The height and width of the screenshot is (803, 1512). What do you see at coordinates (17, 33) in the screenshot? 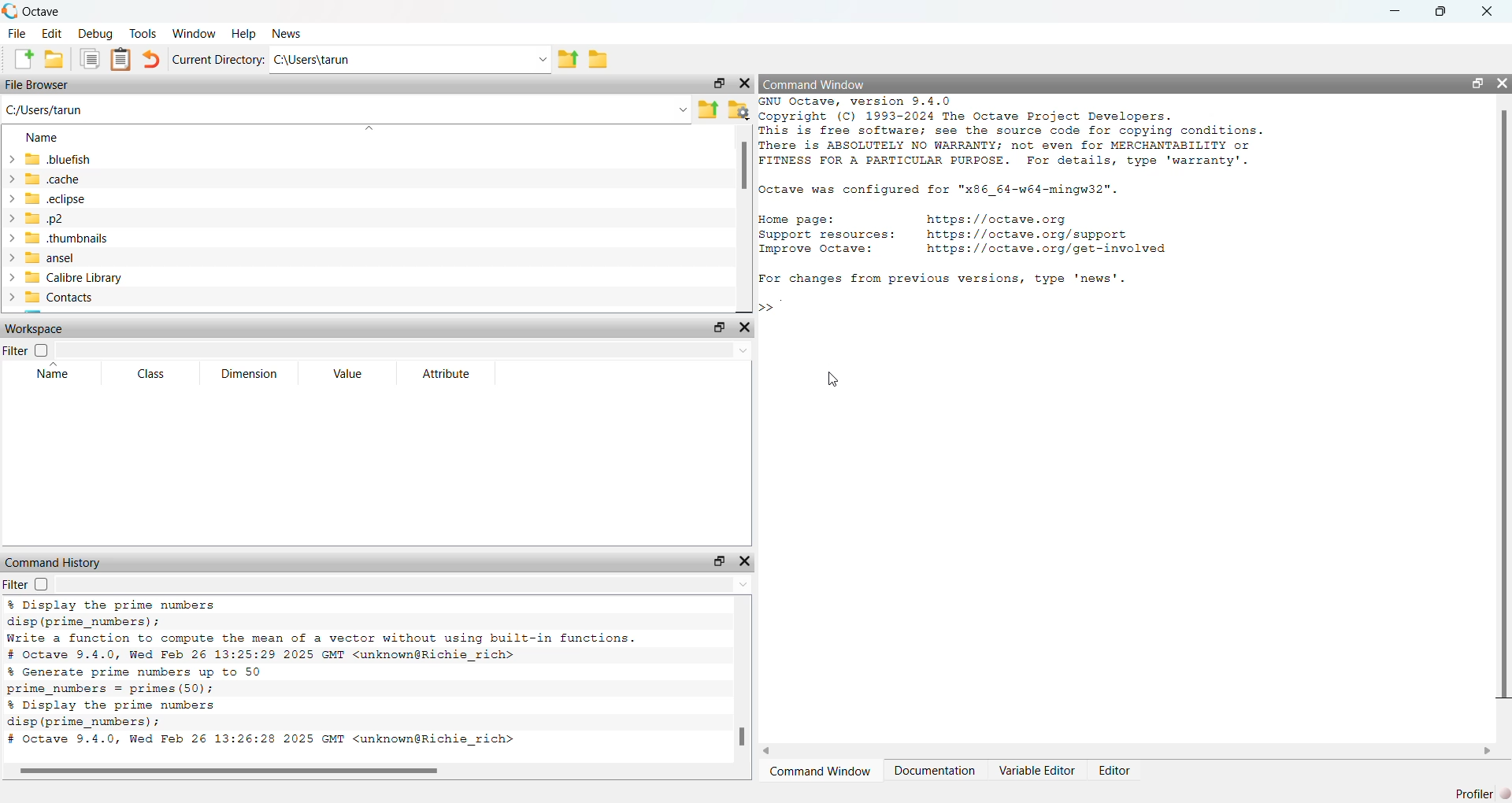
I see `File` at bounding box center [17, 33].